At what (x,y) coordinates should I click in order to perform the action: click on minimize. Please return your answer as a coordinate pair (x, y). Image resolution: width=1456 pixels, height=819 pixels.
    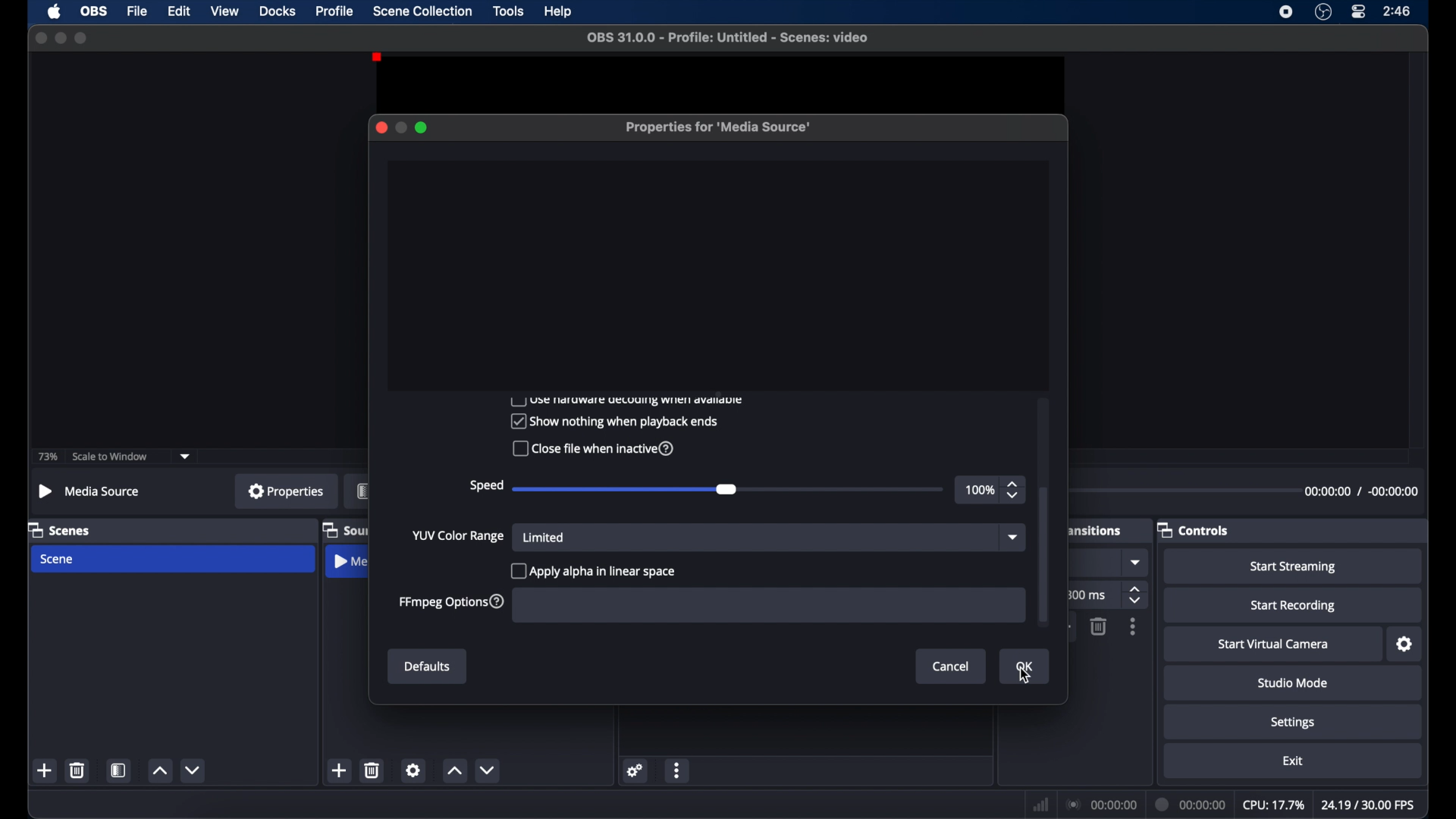
    Looking at the image, I should click on (400, 127).